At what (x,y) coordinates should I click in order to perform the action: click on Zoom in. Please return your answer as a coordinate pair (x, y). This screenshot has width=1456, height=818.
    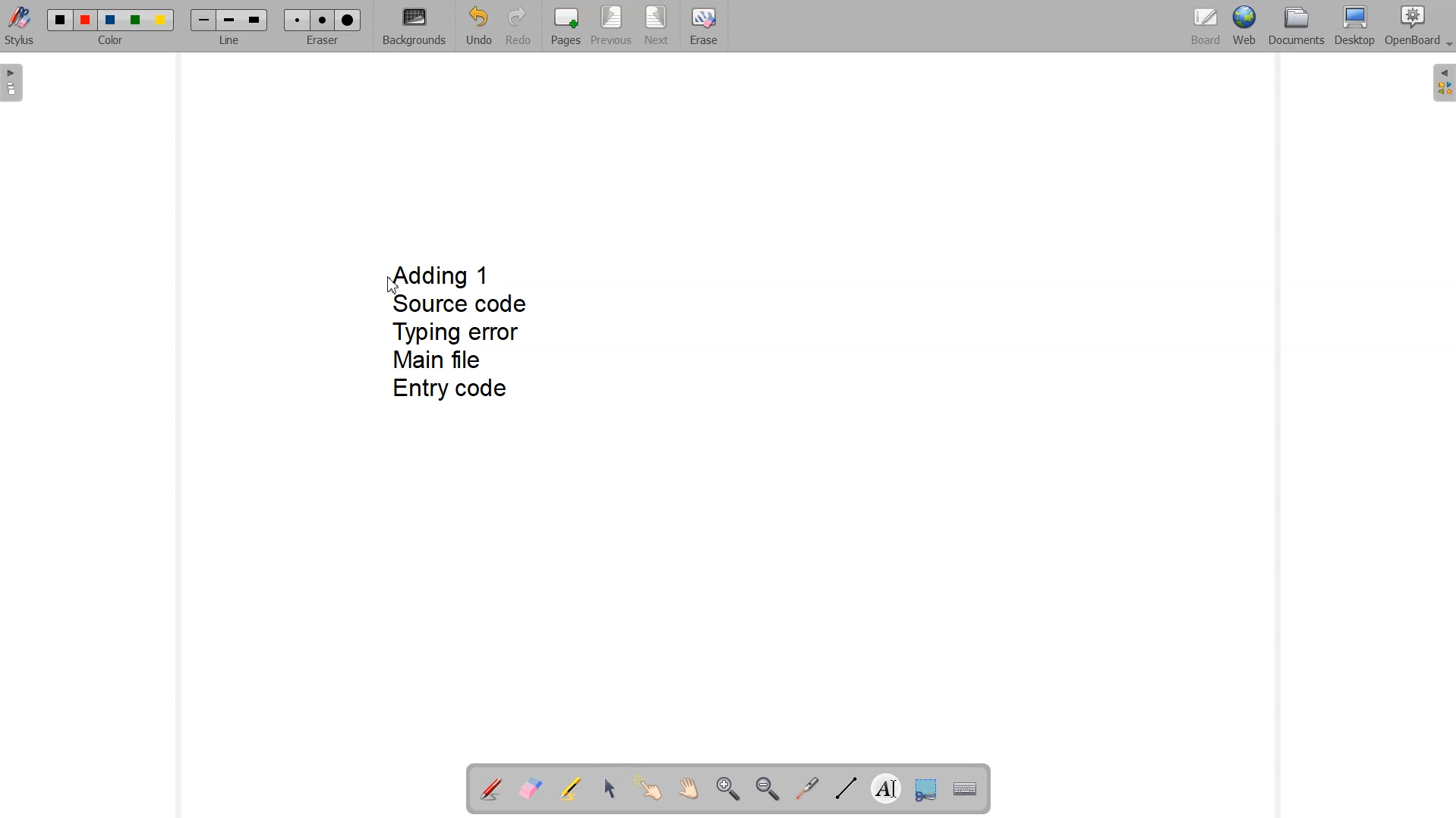
    Looking at the image, I should click on (726, 788).